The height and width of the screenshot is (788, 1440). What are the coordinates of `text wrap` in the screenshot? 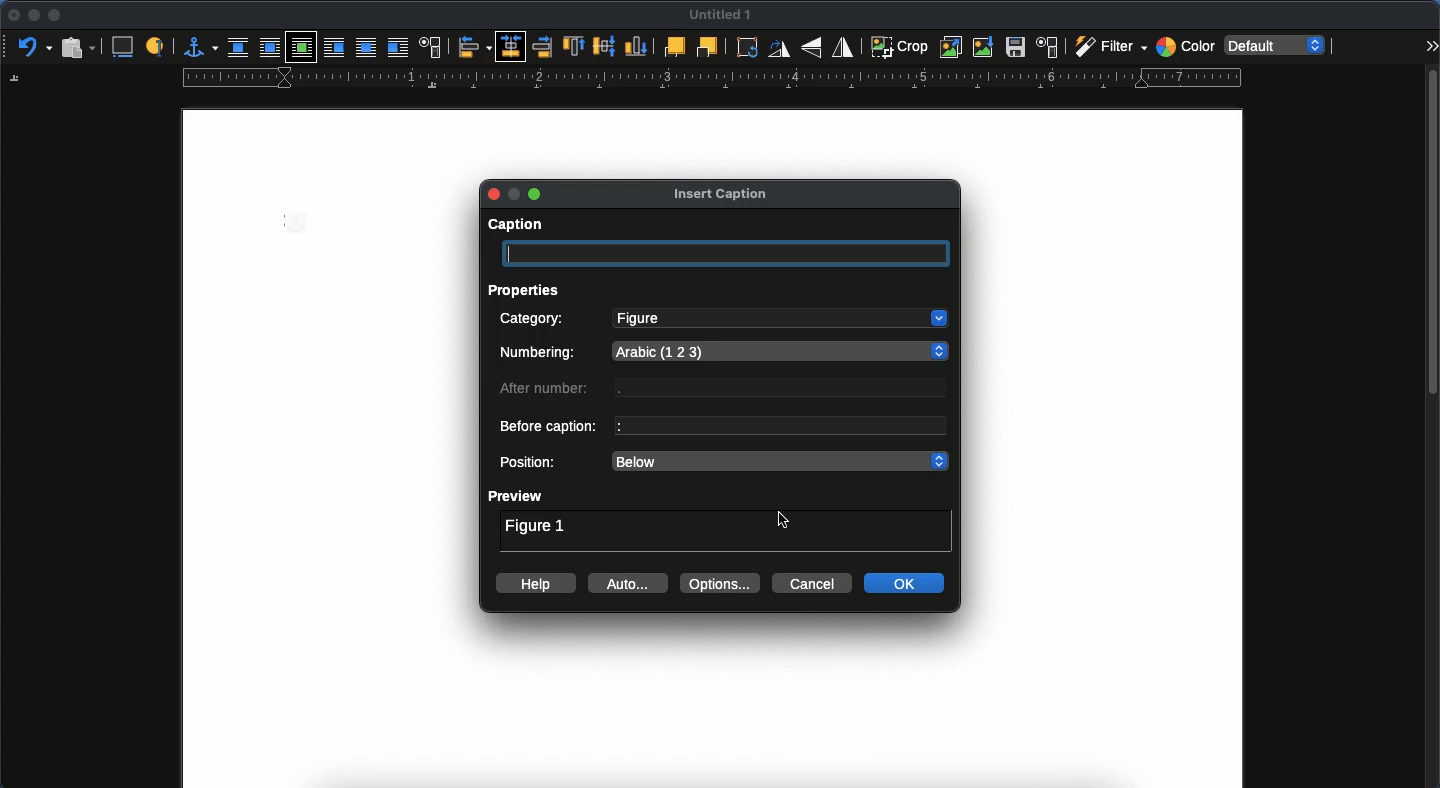 It's located at (431, 47).